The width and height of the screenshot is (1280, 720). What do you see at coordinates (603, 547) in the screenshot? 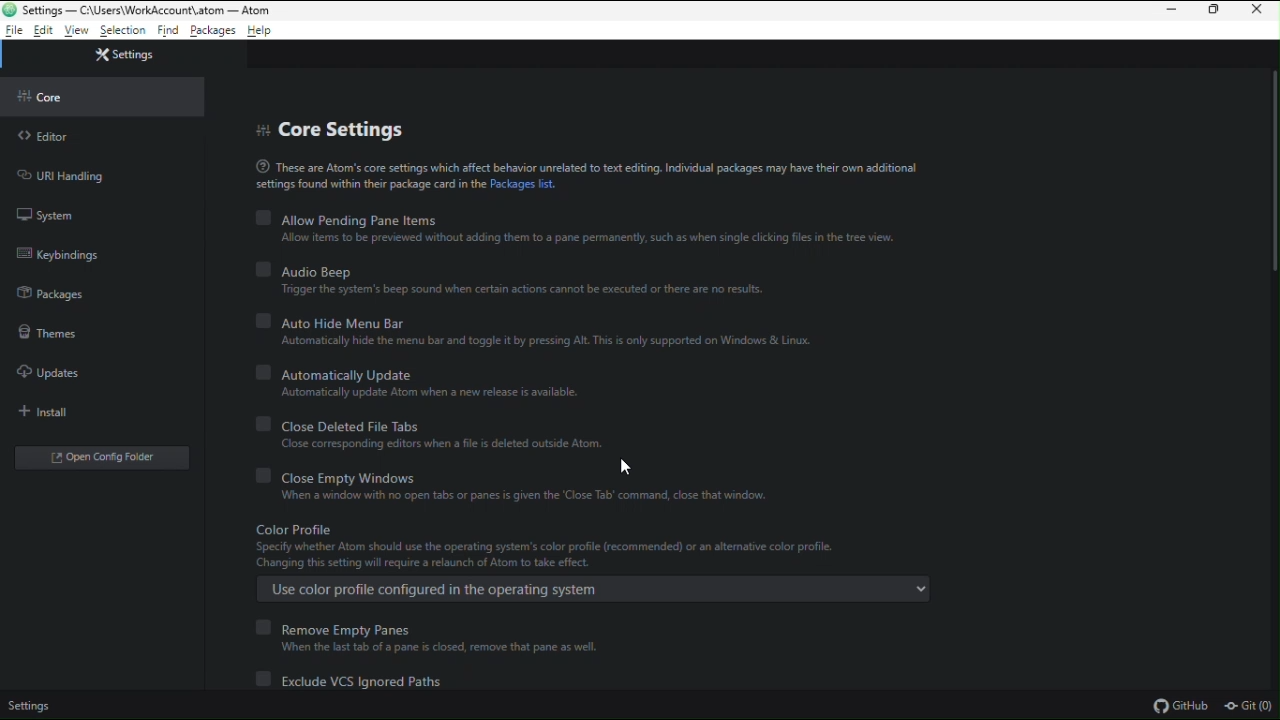
I see `Color profile` at bounding box center [603, 547].